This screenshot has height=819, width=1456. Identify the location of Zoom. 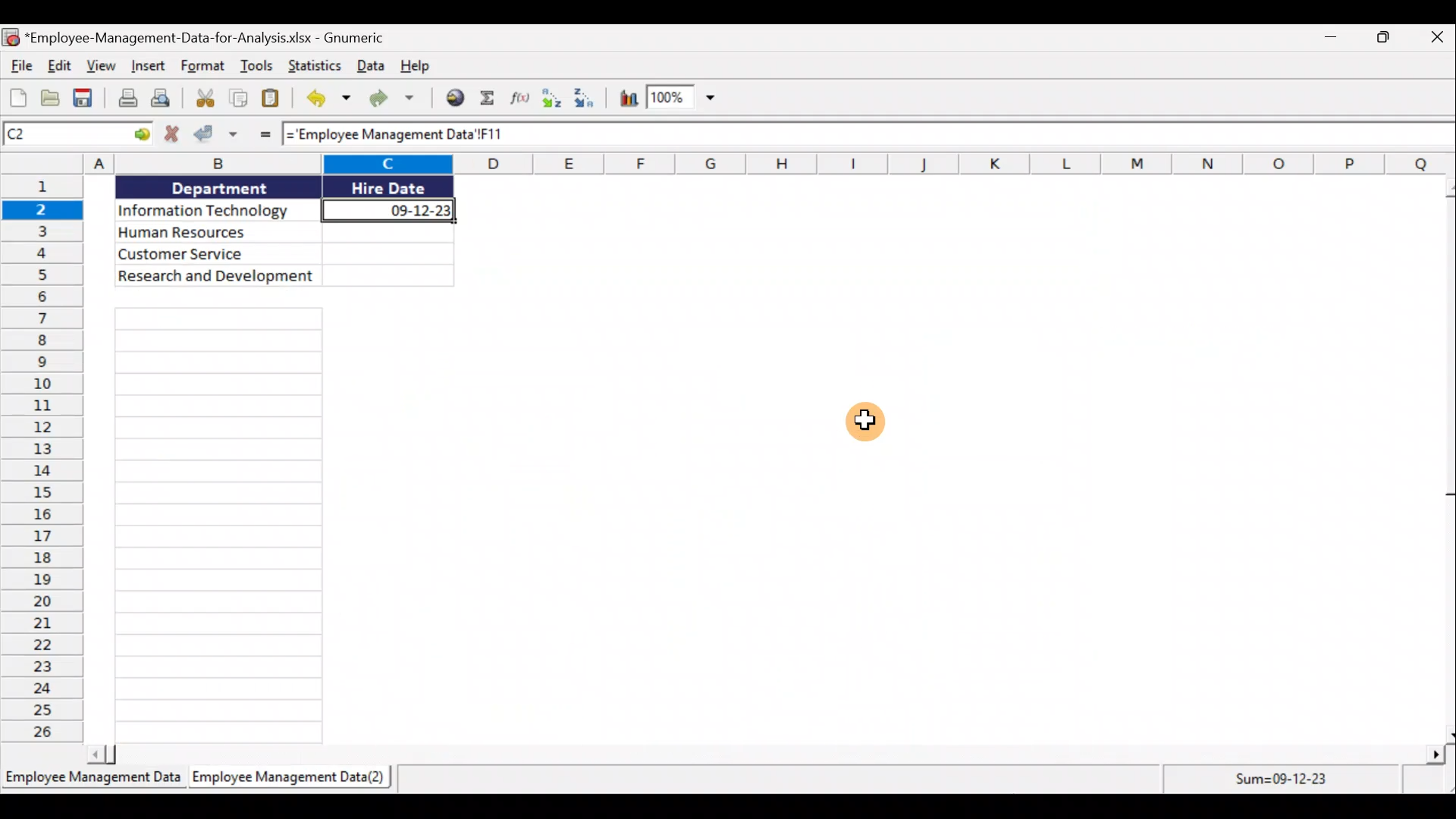
(684, 99).